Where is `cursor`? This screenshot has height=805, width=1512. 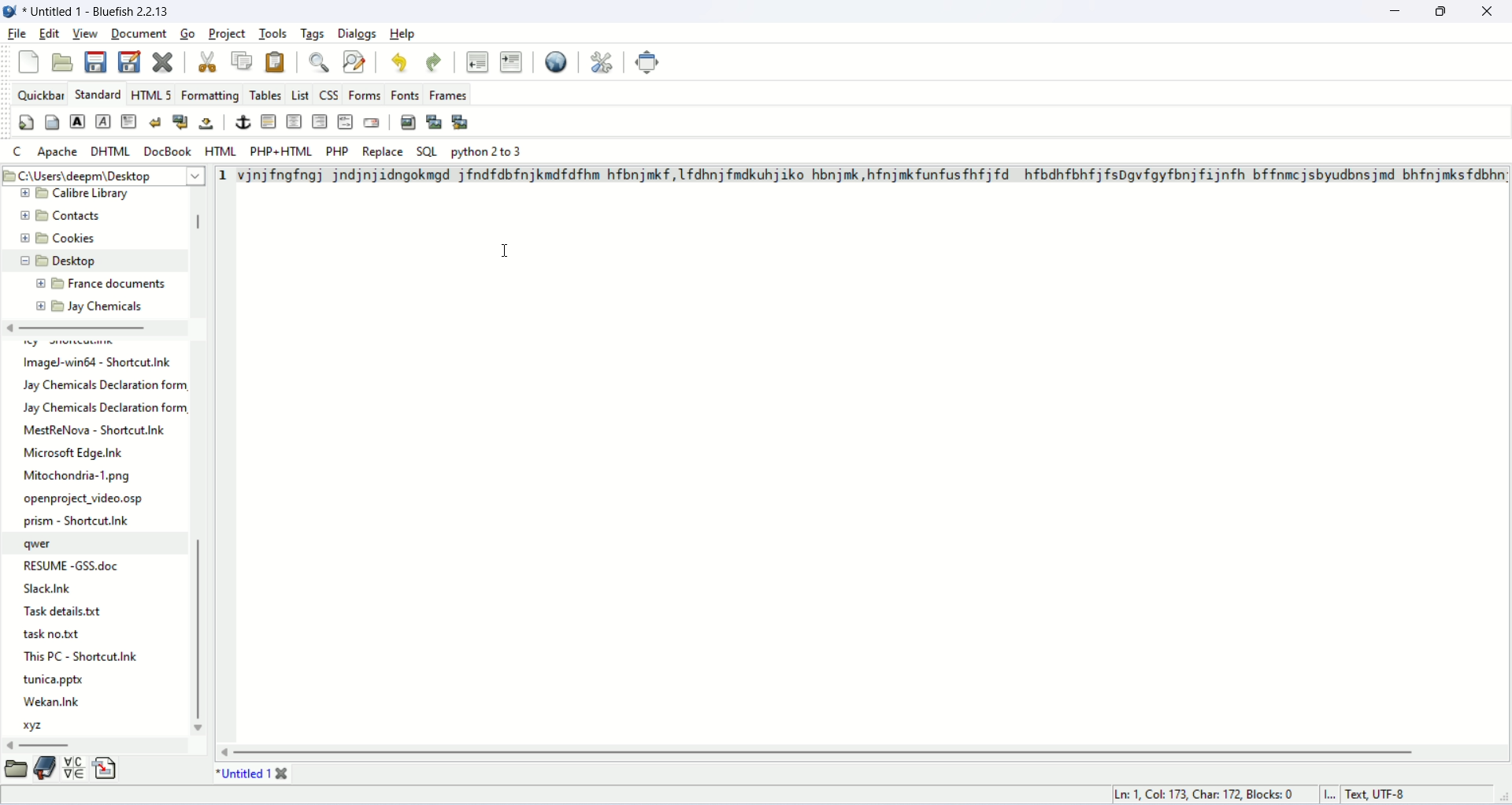 cursor is located at coordinates (507, 253).